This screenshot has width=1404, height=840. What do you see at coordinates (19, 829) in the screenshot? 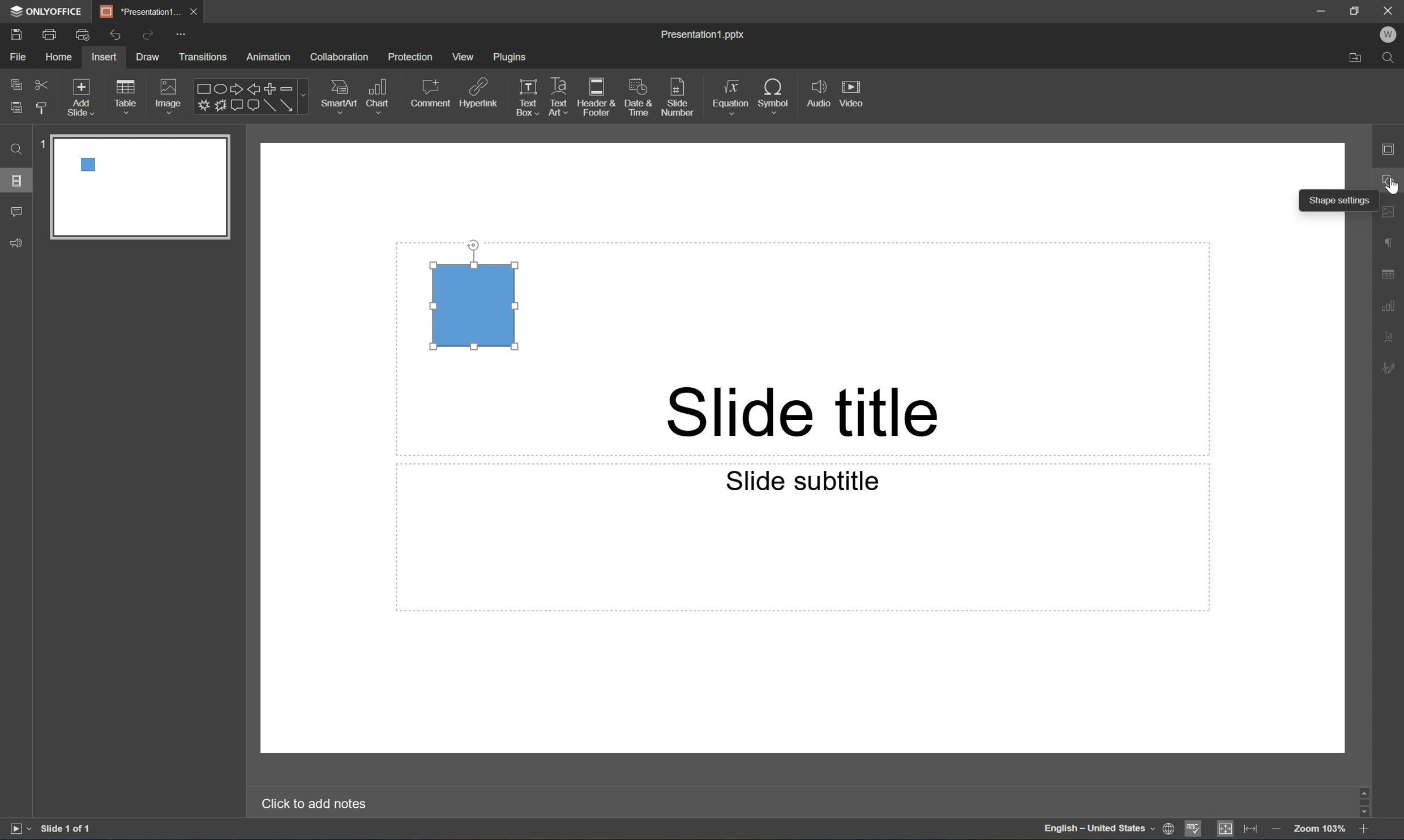
I see `Start slideshow` at bounding box center [19, 829].